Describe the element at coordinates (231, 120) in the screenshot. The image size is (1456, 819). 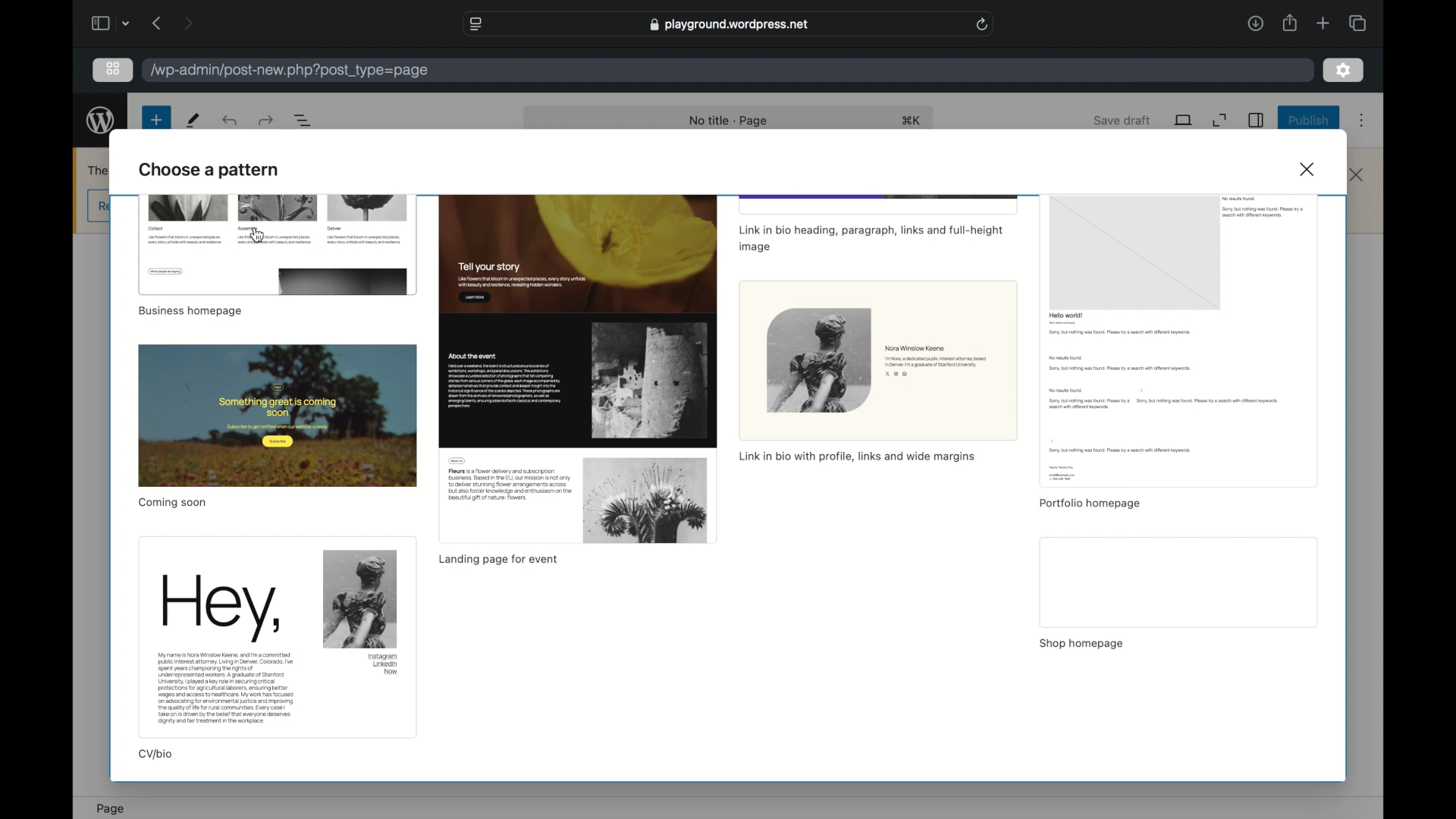
I see `redo` at that location.